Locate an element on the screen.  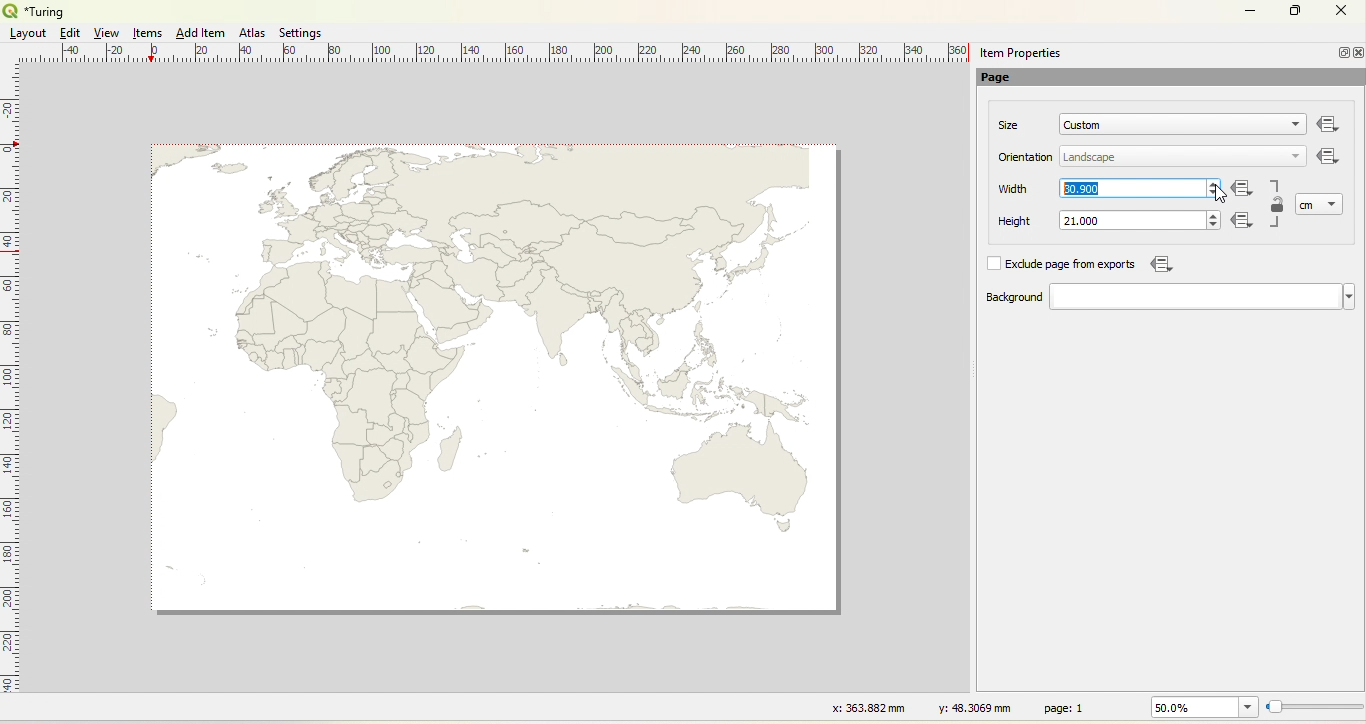
50.0% is located at coordinates (1201, 707).